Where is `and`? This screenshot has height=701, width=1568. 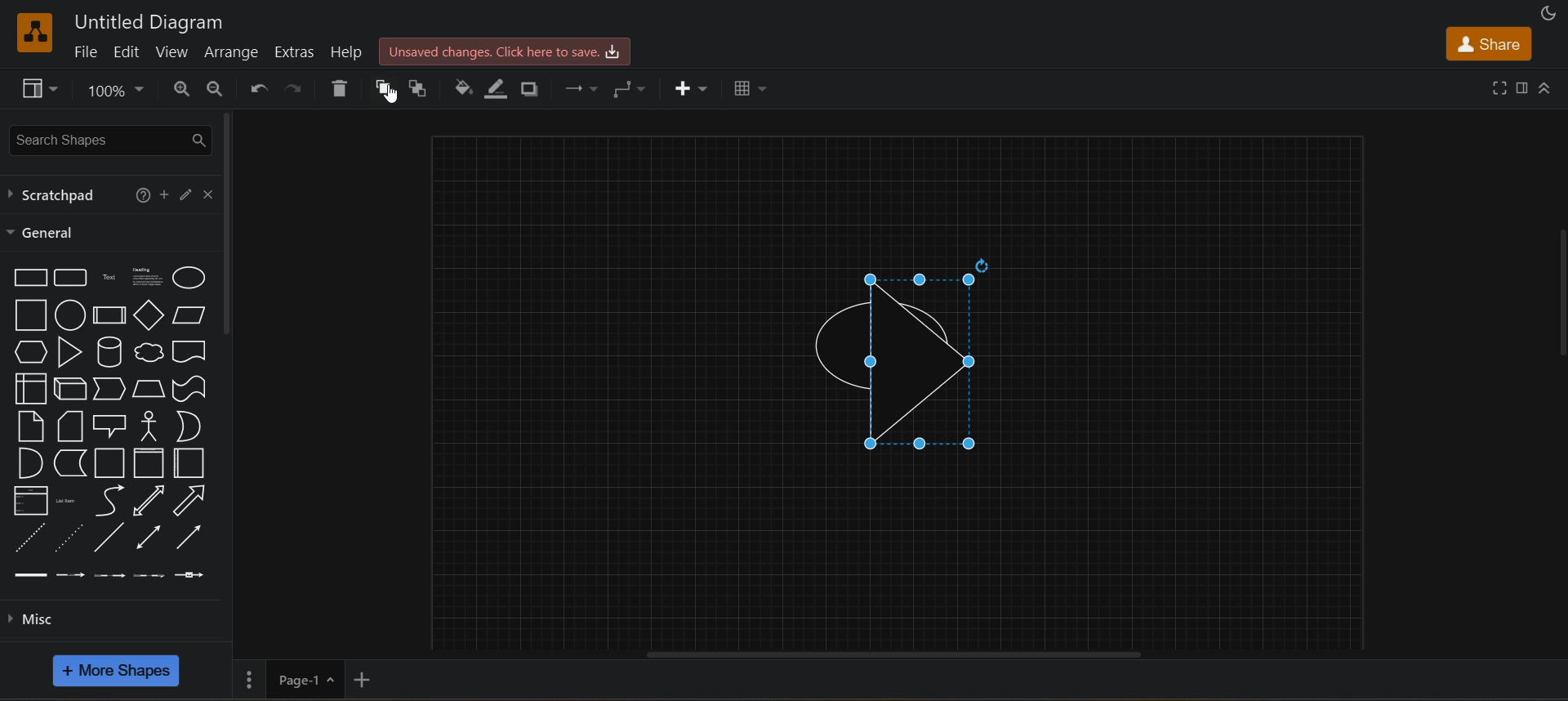
and is located at coordinates (32, 462).